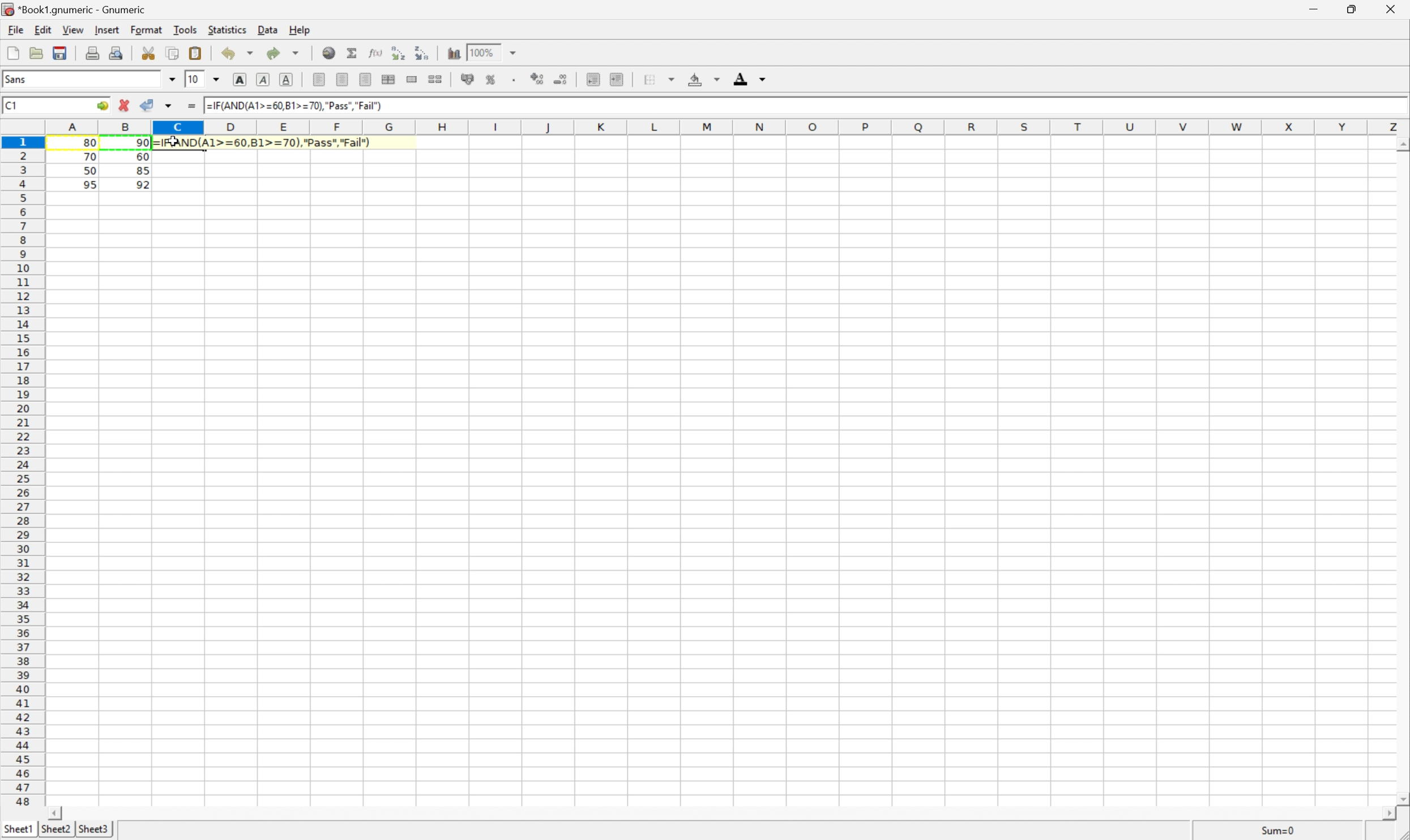 This screenshot has width=1410, height=840. I want to click on Scroll Up, so click(1401, 144).